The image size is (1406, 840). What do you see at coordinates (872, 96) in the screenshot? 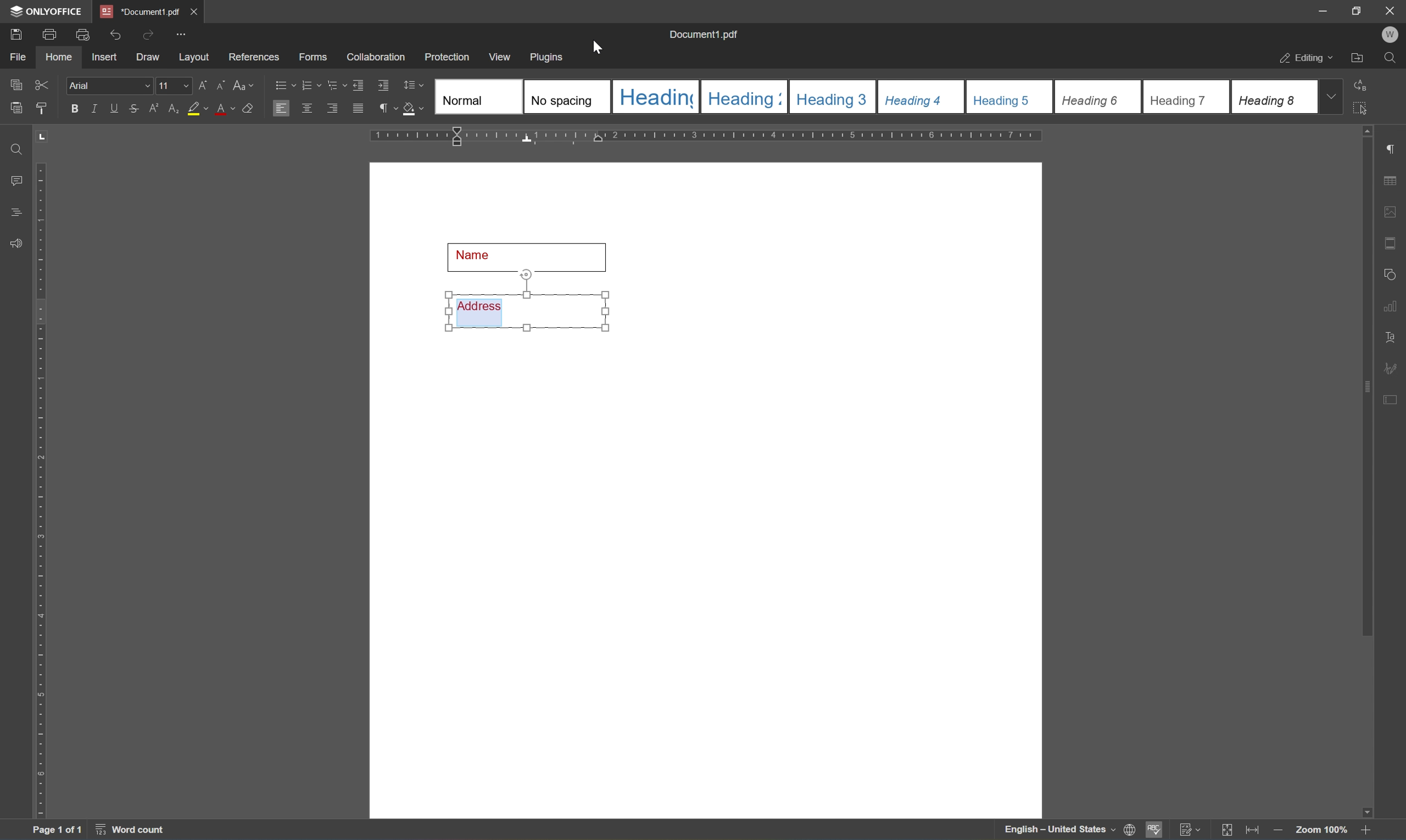
I see `type of slides` at bounding box center [872, 96].